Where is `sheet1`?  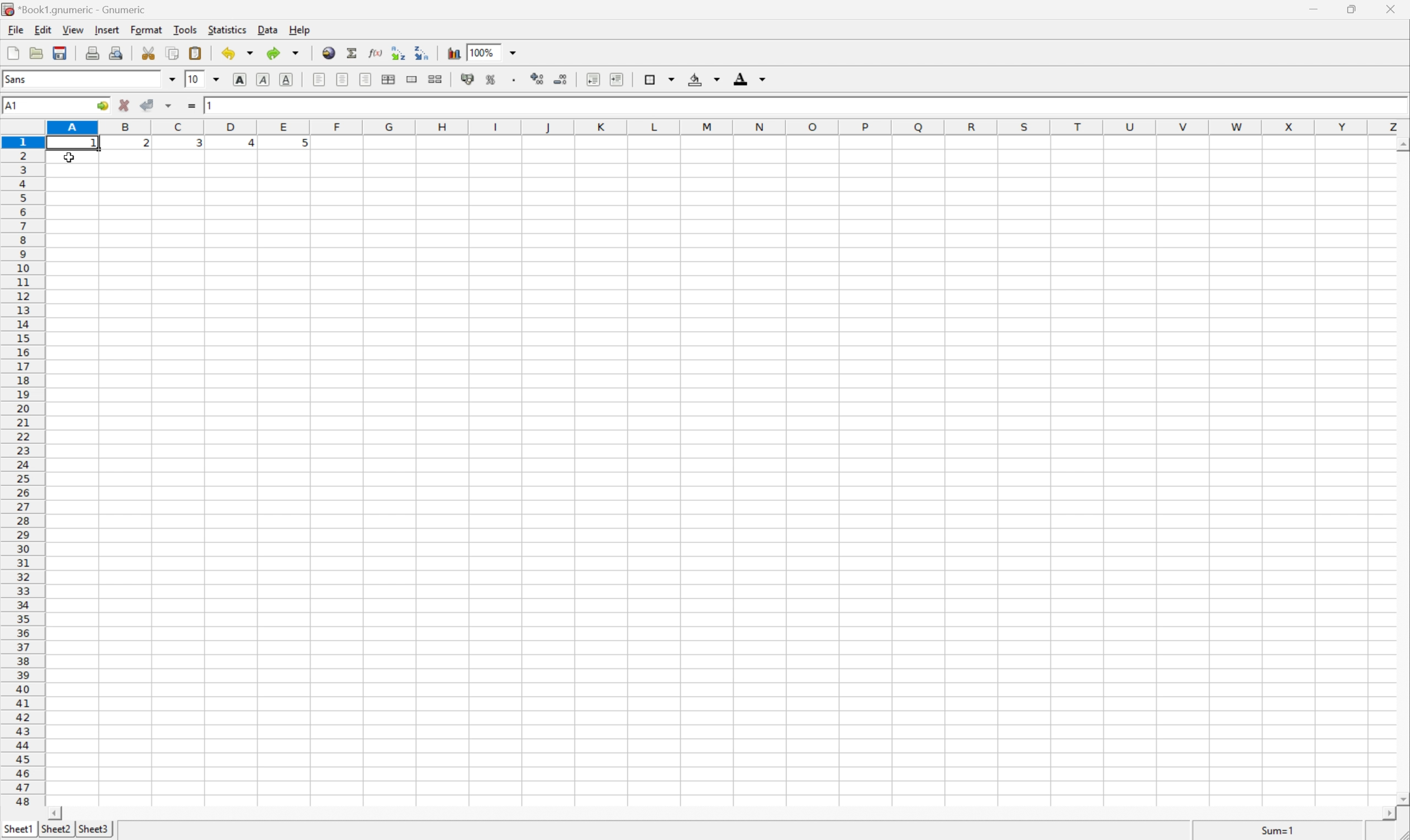 sheet1 is located at coordinates (17, 832).